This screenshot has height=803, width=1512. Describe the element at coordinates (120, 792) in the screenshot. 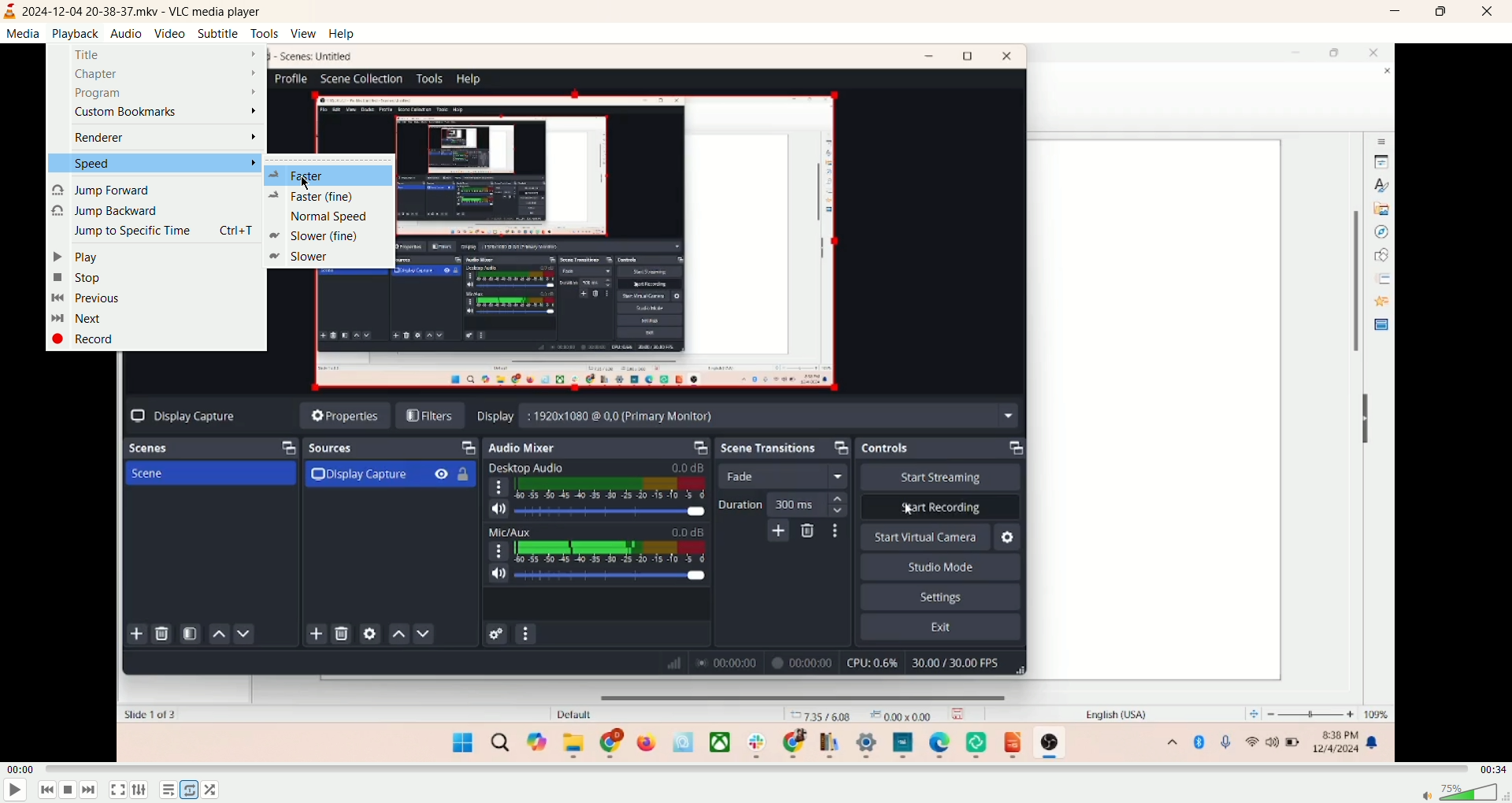

I see `fullscreen` at that location.